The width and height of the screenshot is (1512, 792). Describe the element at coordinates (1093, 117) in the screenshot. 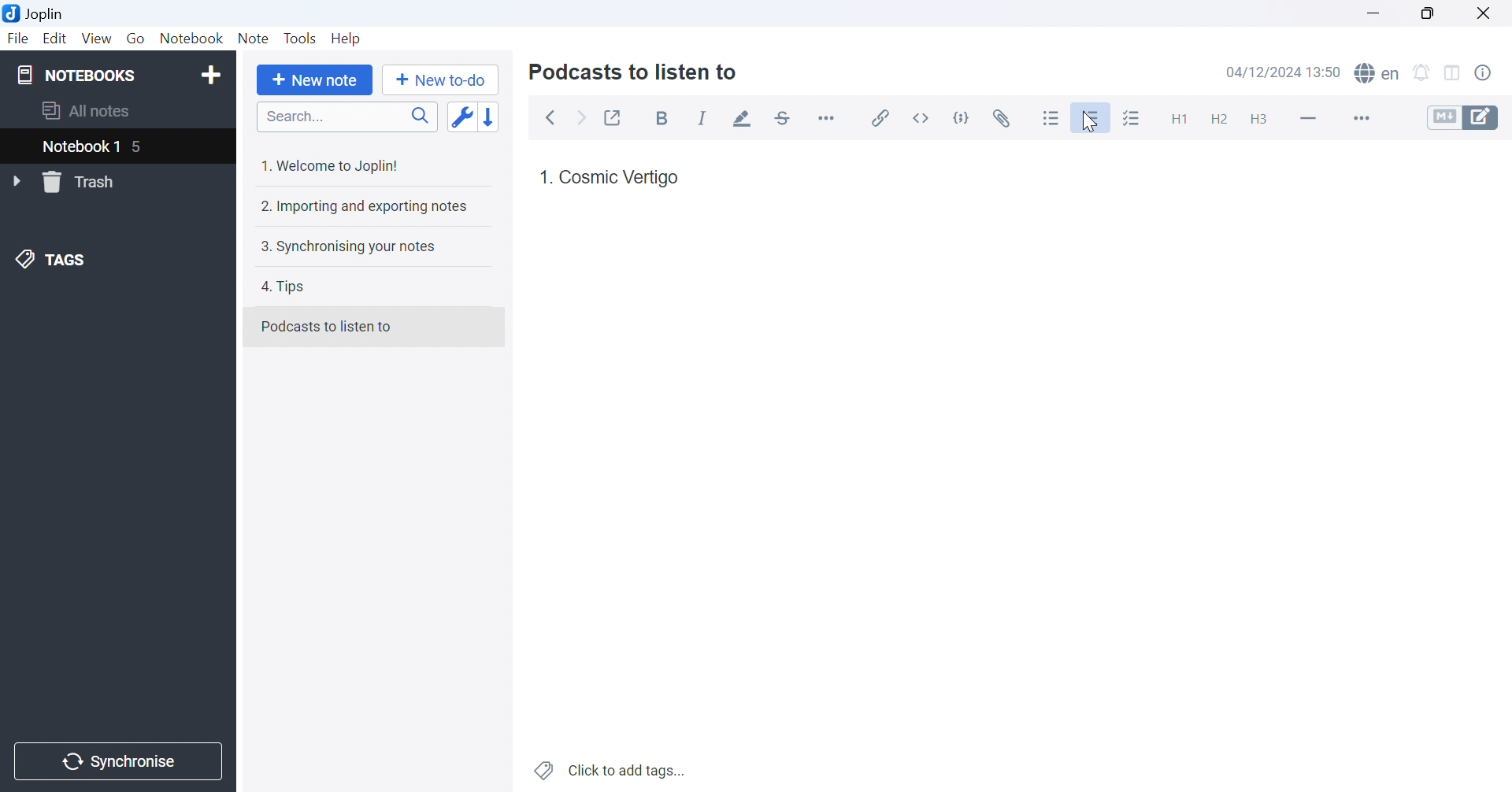

I see `Numbered list` at that location.